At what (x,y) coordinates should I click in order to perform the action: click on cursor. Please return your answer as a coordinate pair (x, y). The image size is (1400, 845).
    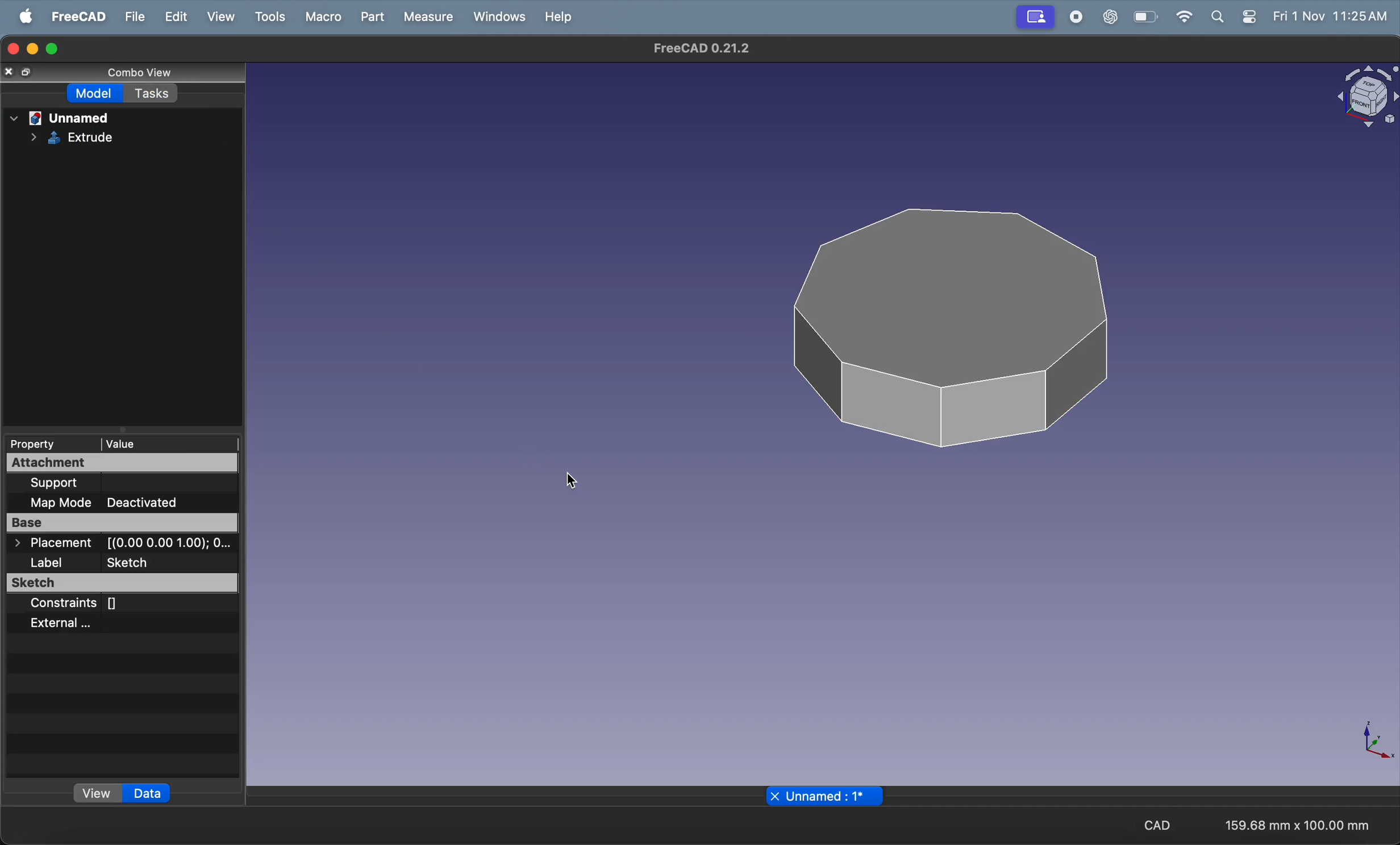
    Looking at the image, I should click on (572, 483).